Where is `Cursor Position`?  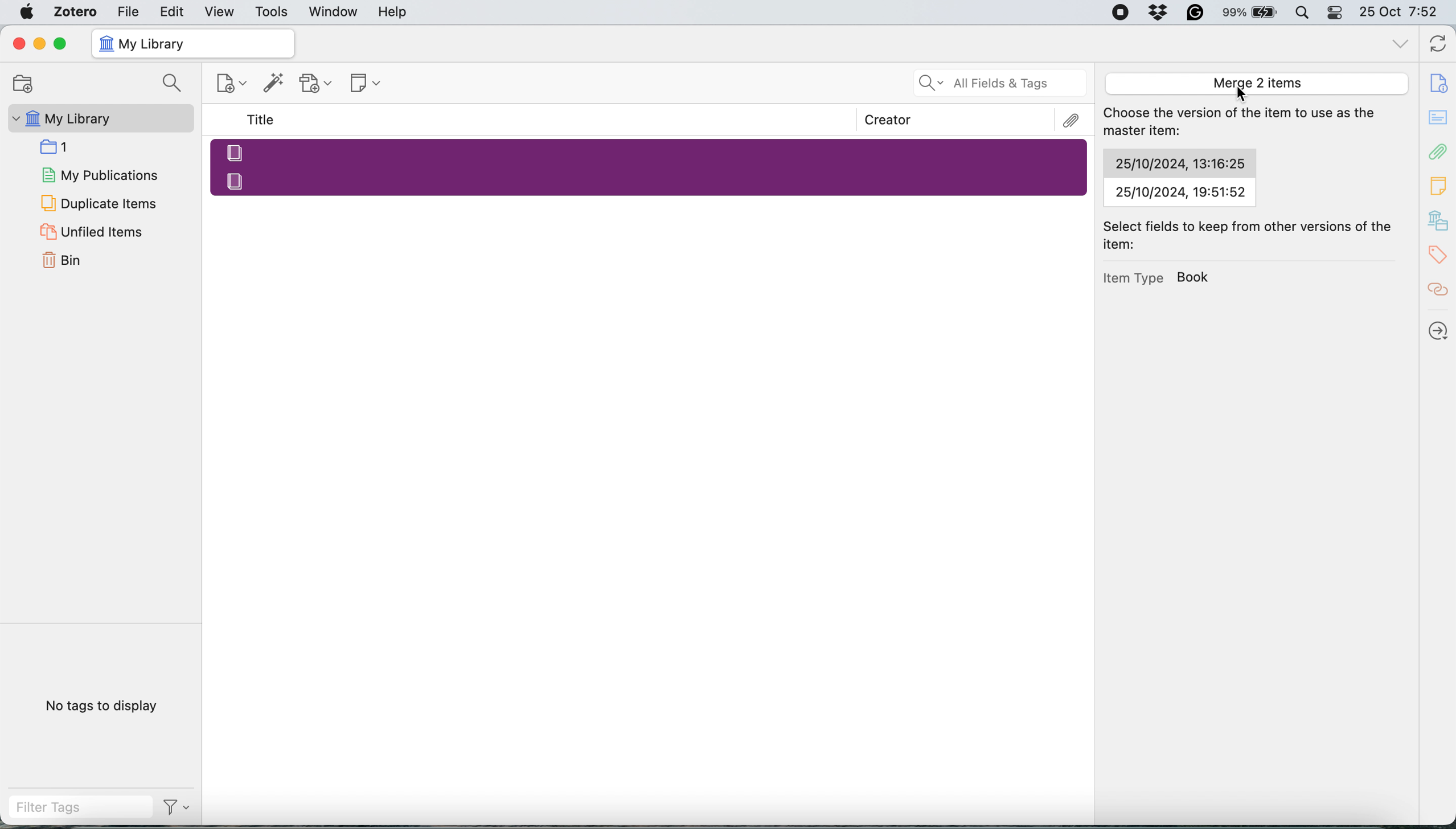 Cursor Position is located at coordinates (1241, 93).